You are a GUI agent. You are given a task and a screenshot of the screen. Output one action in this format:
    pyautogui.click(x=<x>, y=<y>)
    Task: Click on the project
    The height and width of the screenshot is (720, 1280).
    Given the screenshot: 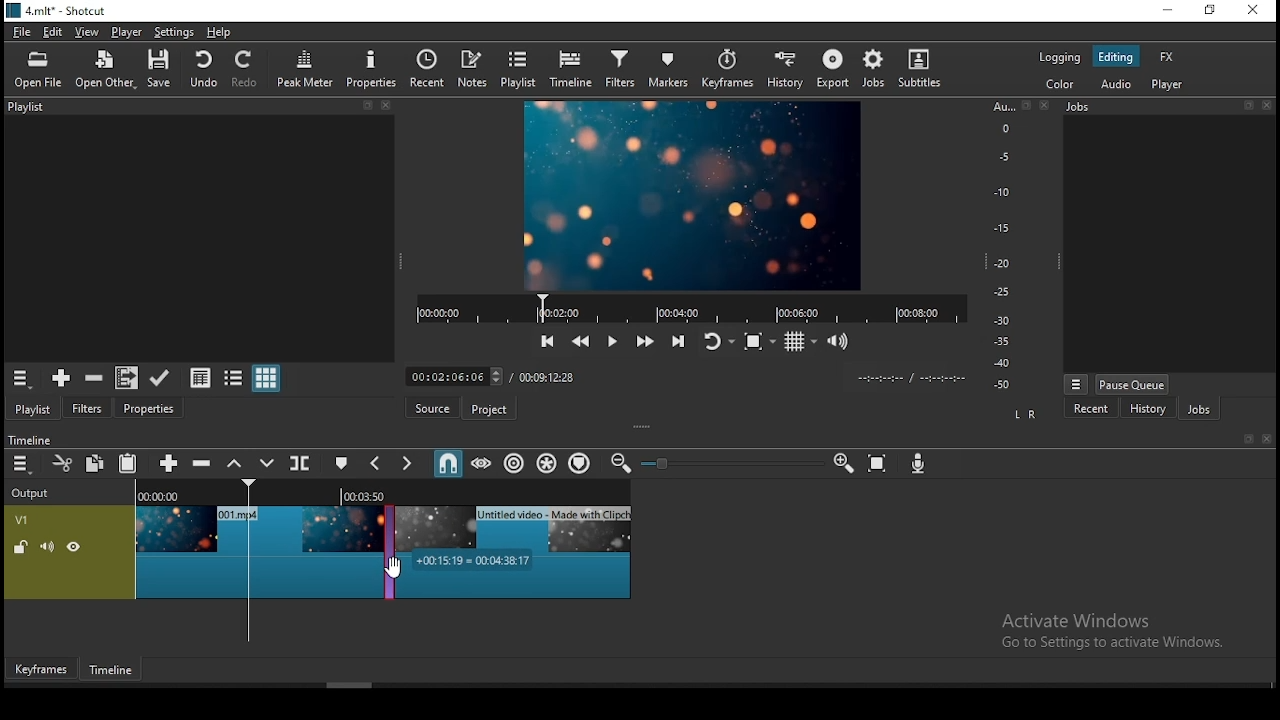 What is the action you would take?
    pyautogui.click(x=487, y=408)
    